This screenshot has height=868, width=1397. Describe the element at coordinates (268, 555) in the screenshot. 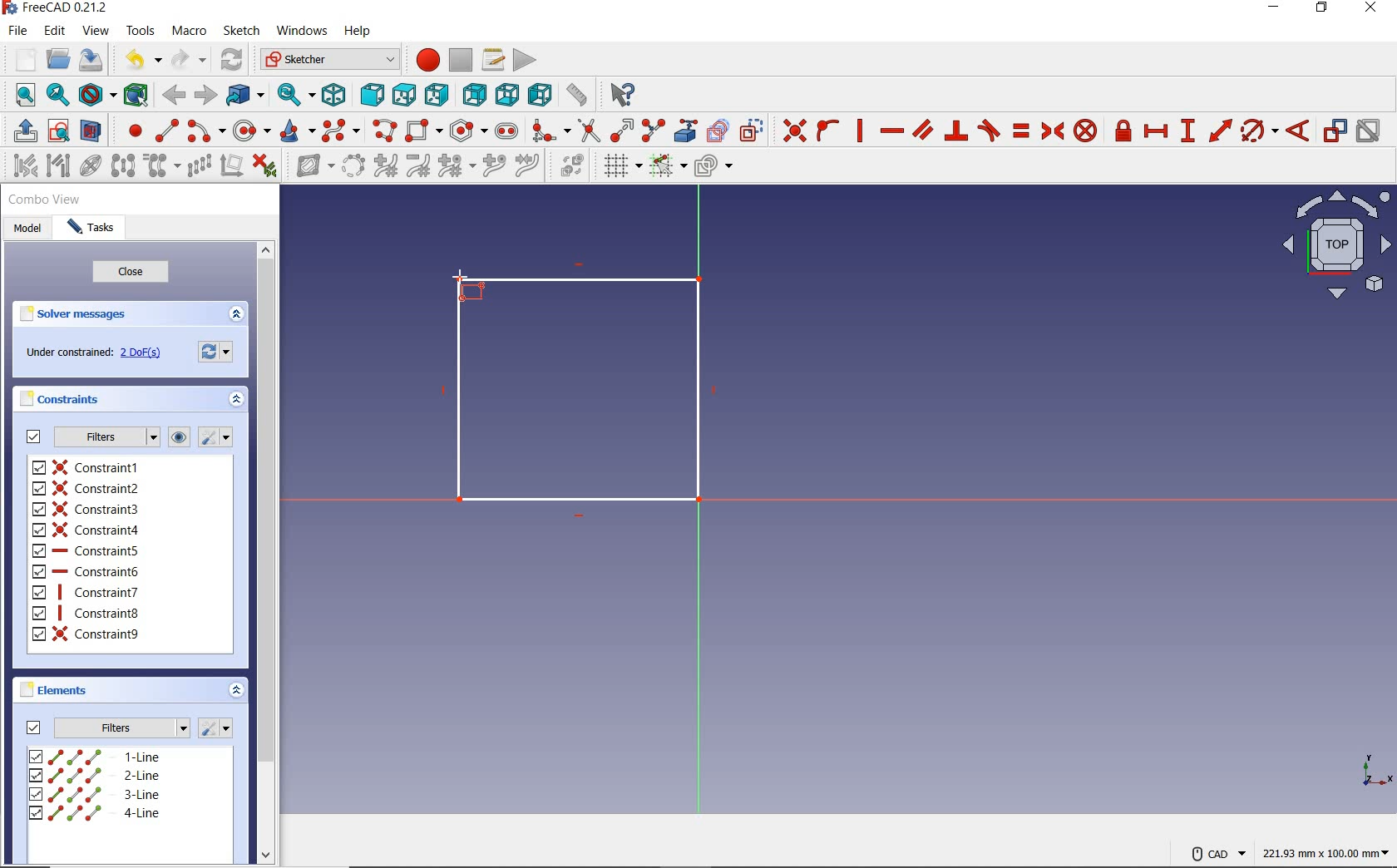

I see `scrollbar` at that location.